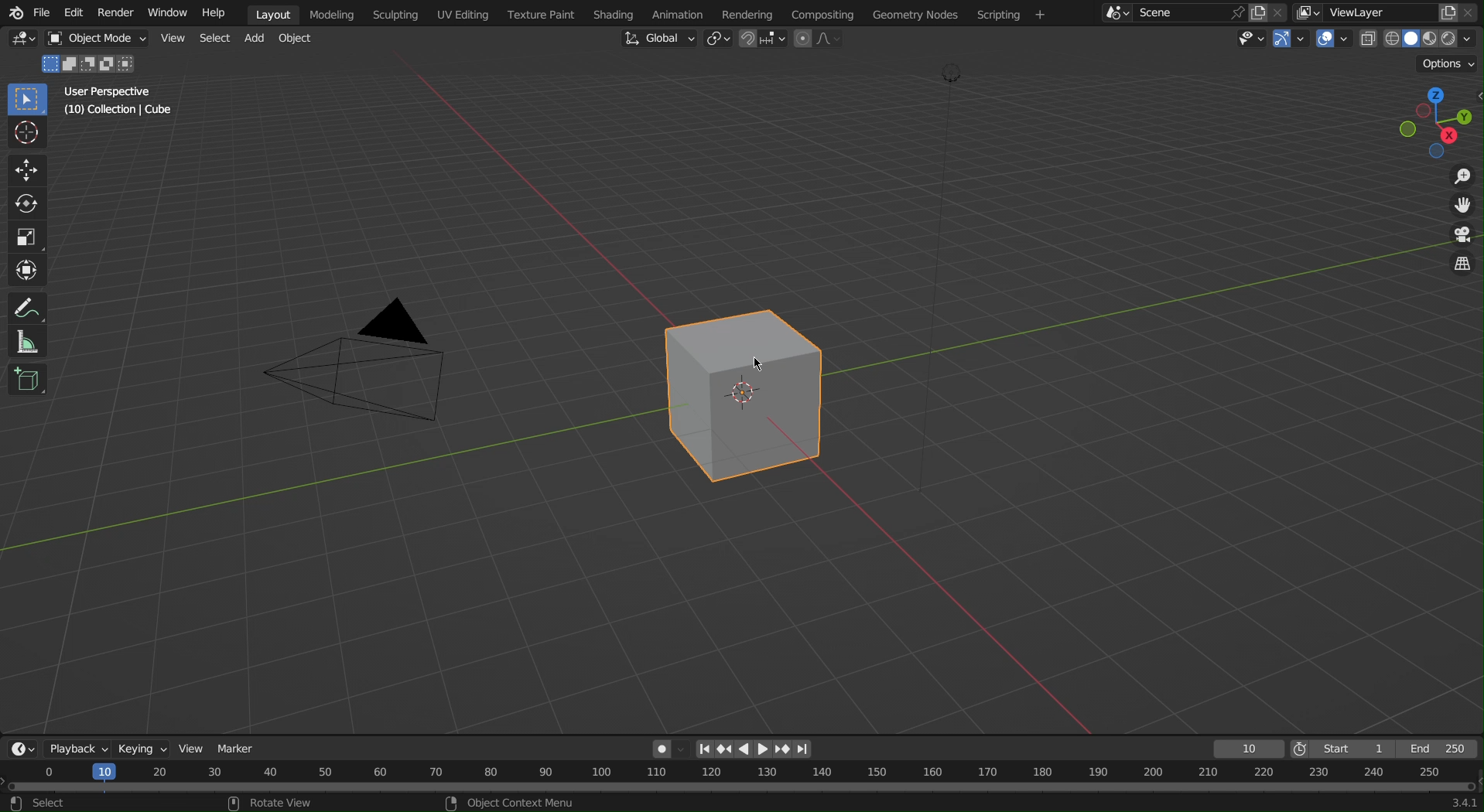 The width and height of the screenshot is (1484, 812). I want to click on Scene, so click(1171, 13).